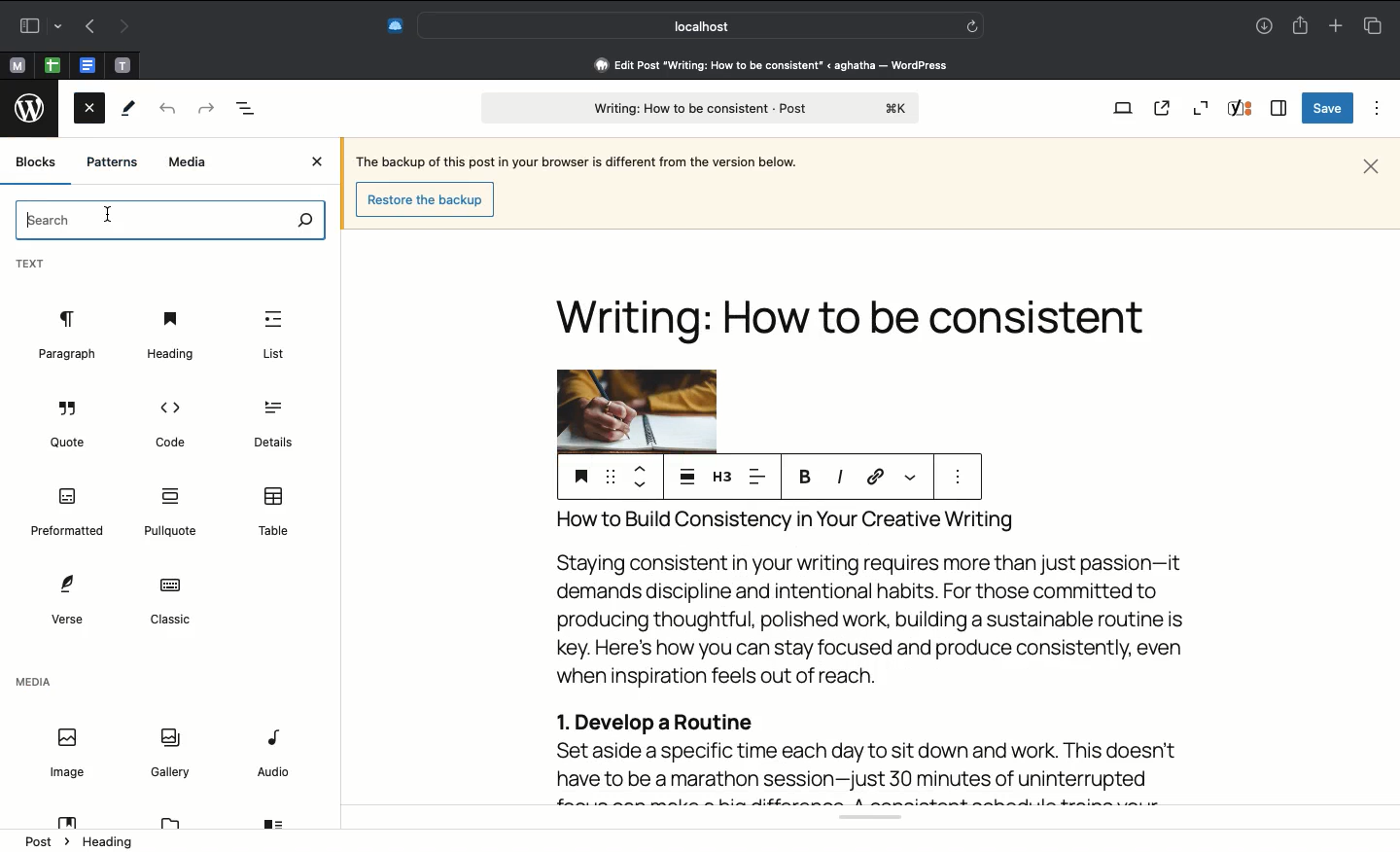 The width and height of the screenshot is (1400, 852). What do you see at coordinates (384, 27) in the screenshot?
I see `Extensions` at bounding box center [384, 27].